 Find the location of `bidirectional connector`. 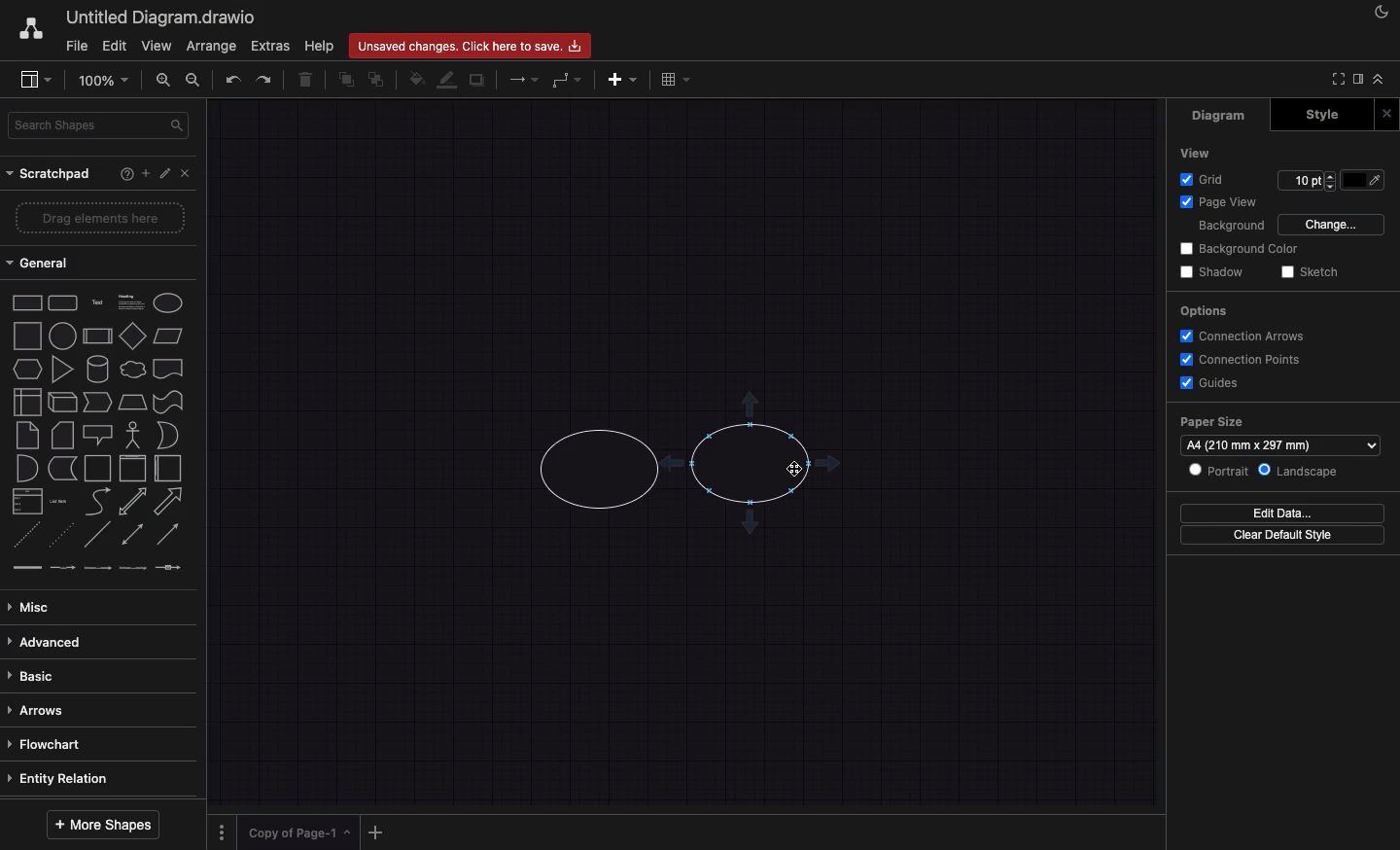

bidirectional connector is located at coordinates (131, 533).